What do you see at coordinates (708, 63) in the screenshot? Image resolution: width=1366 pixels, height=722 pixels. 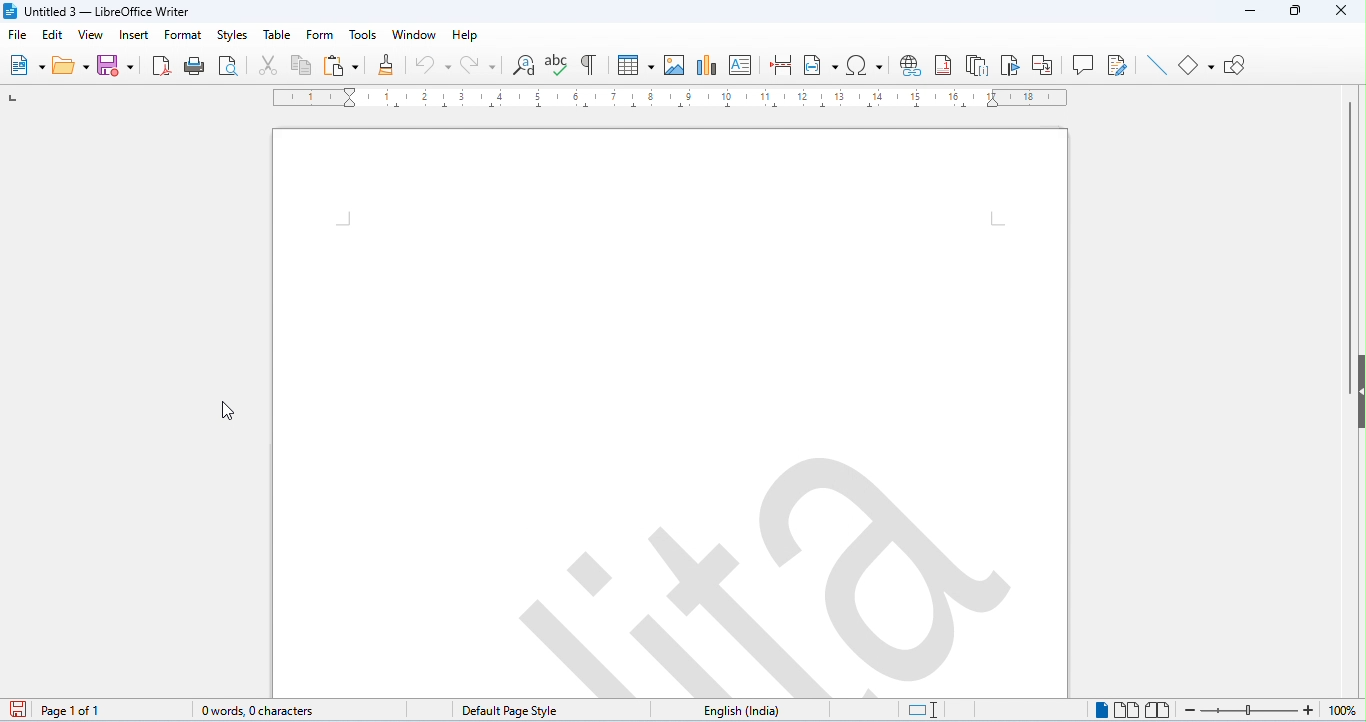 I see `insert chart` at bounding box center [708, 63].